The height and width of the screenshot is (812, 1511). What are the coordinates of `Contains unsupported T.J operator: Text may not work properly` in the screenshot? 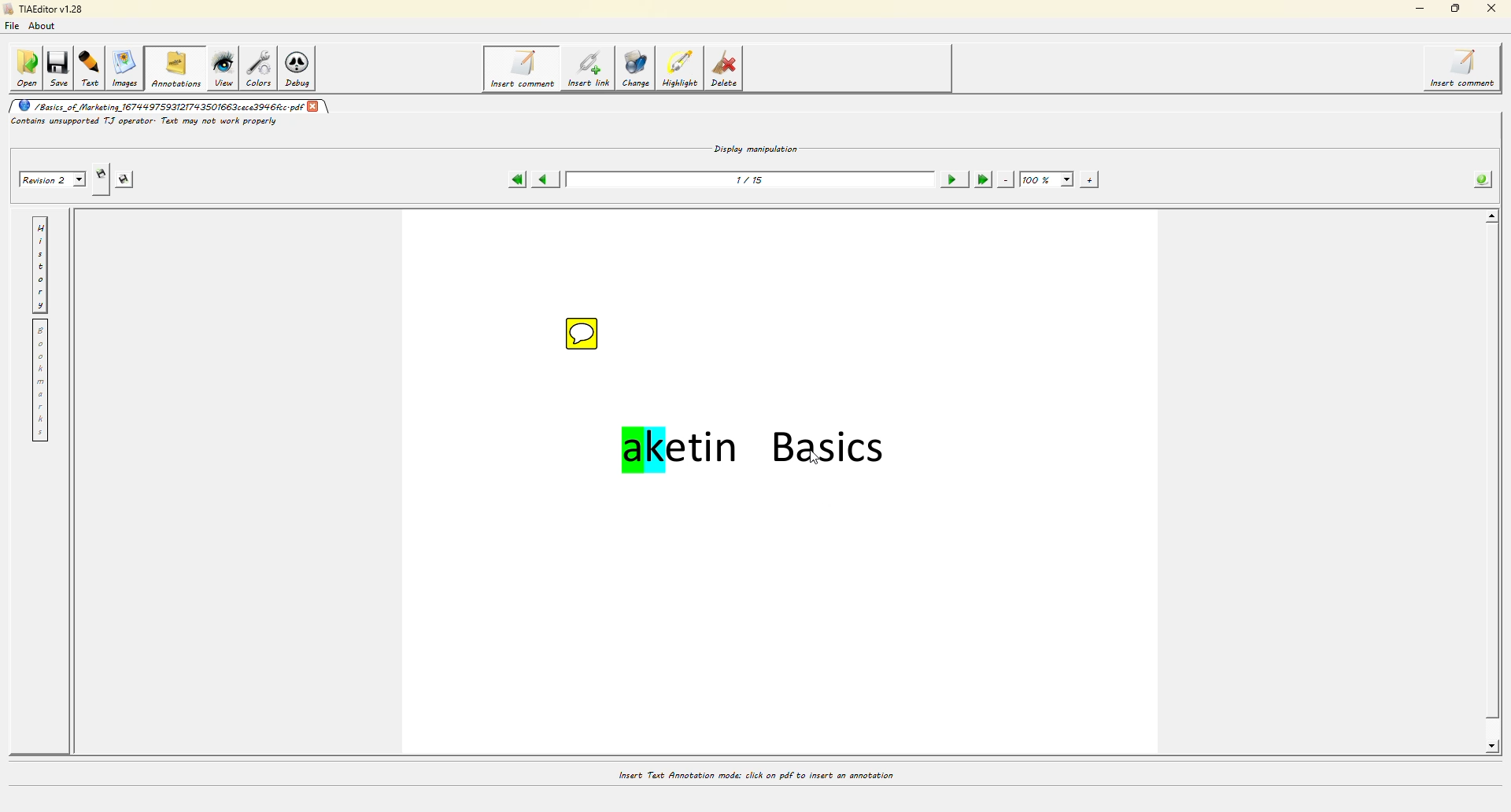 It's located at (145, 122).